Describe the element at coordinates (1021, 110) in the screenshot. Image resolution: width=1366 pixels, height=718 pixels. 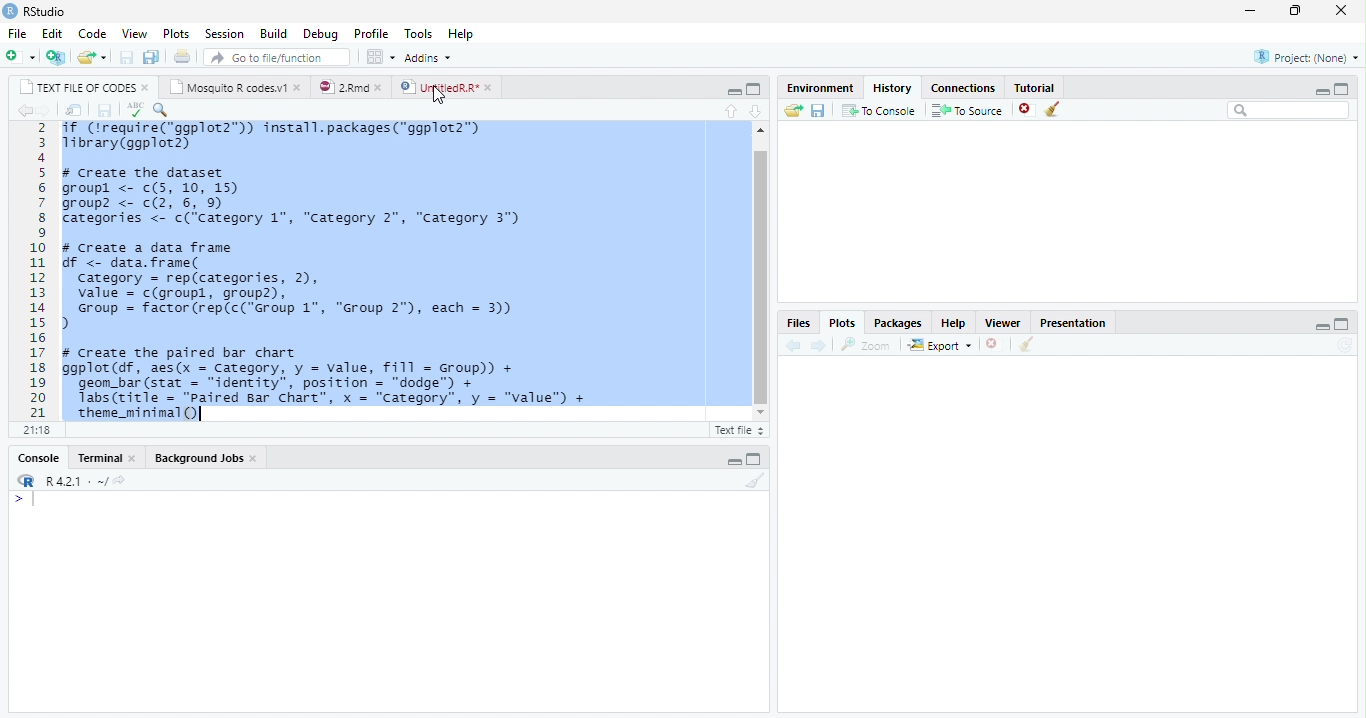
I see `remove selected history` at that location.